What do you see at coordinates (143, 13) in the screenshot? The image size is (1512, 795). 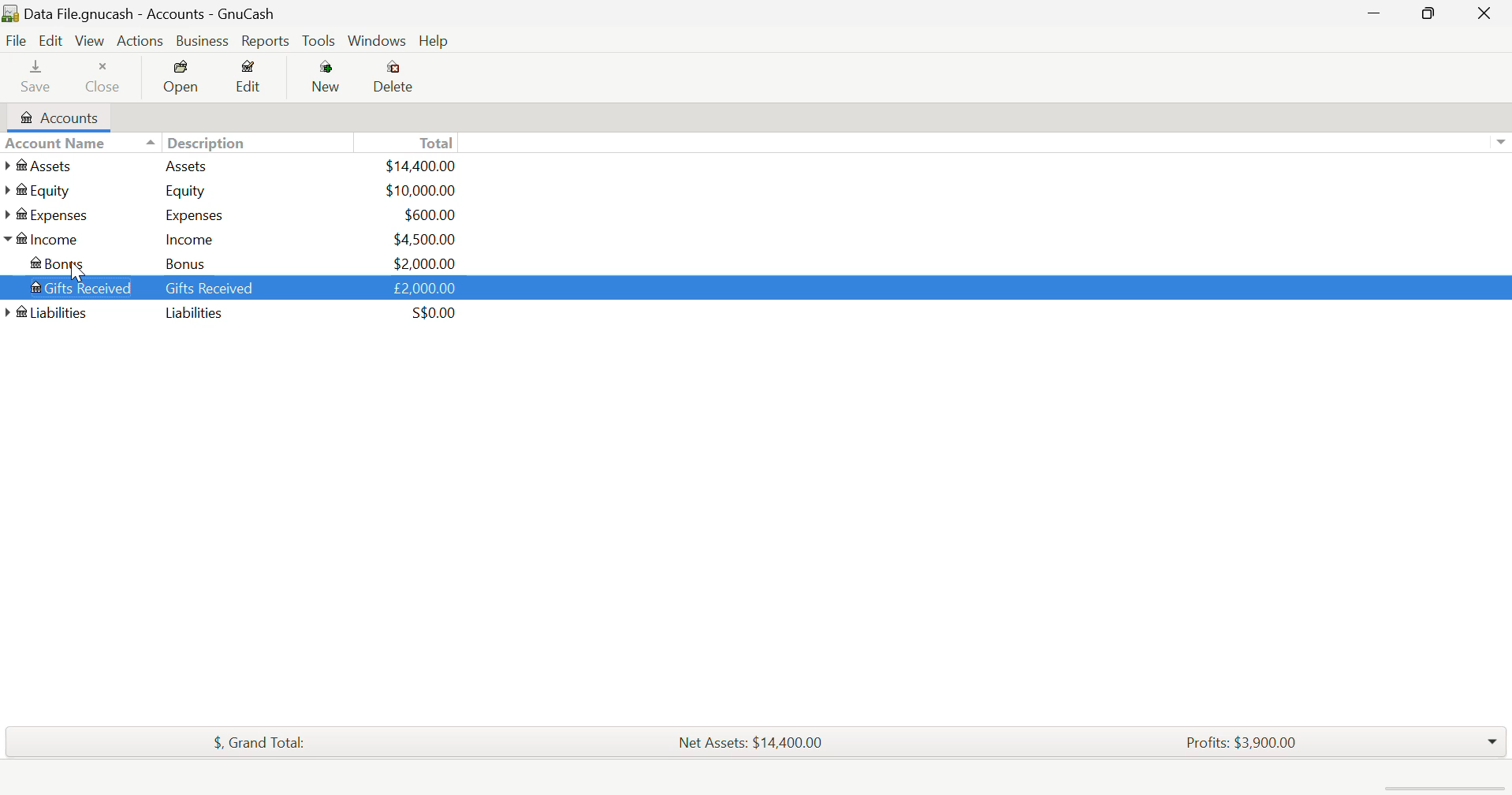 I see `Data File.gnucash - Accounts - GnuCash` at bounding box center [143, 13].